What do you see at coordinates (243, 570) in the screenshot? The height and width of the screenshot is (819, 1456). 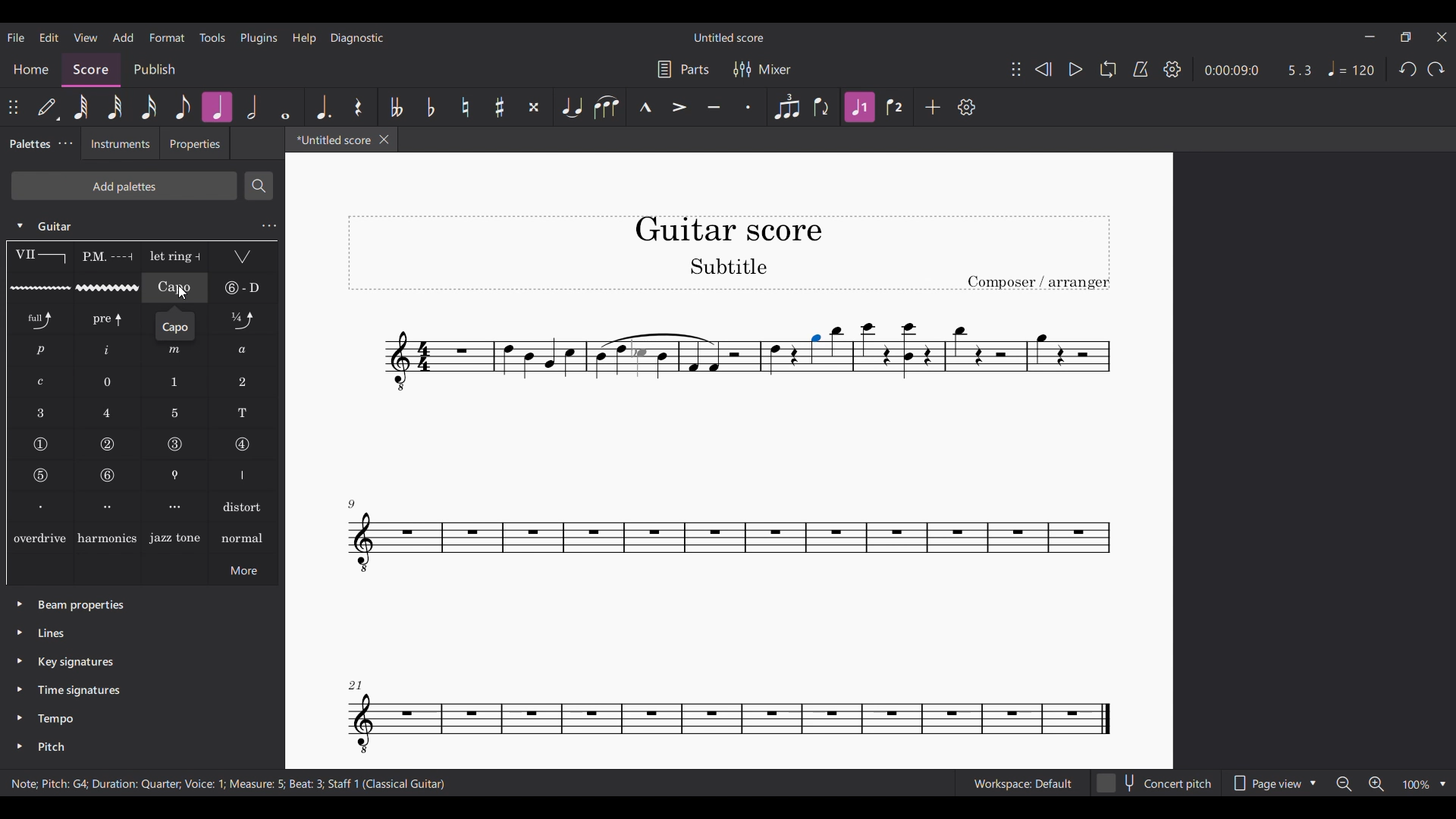 I see `More` at bounding box center [243, 570].